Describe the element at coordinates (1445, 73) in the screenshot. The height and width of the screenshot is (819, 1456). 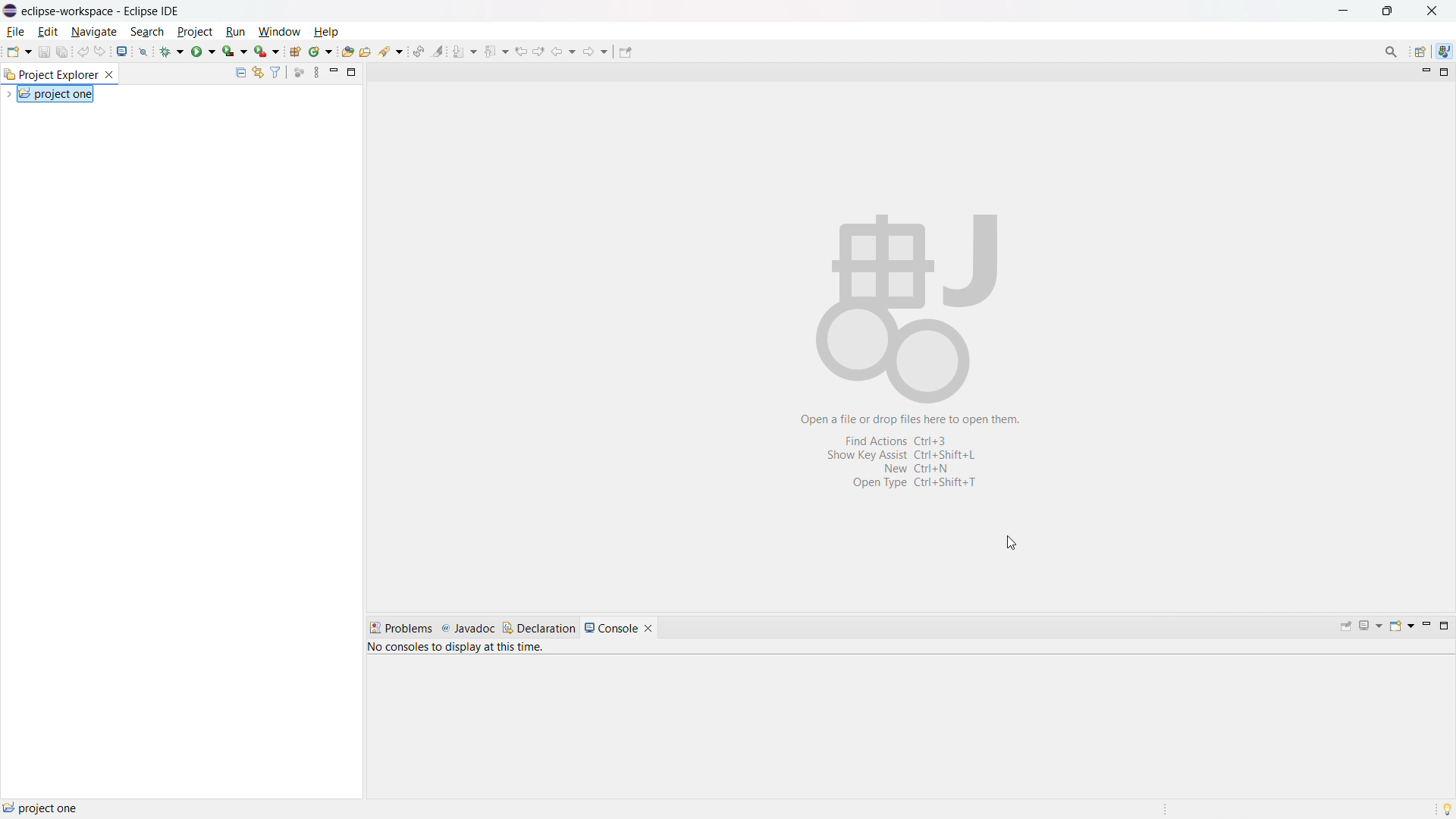
I see `maximize` at that location.